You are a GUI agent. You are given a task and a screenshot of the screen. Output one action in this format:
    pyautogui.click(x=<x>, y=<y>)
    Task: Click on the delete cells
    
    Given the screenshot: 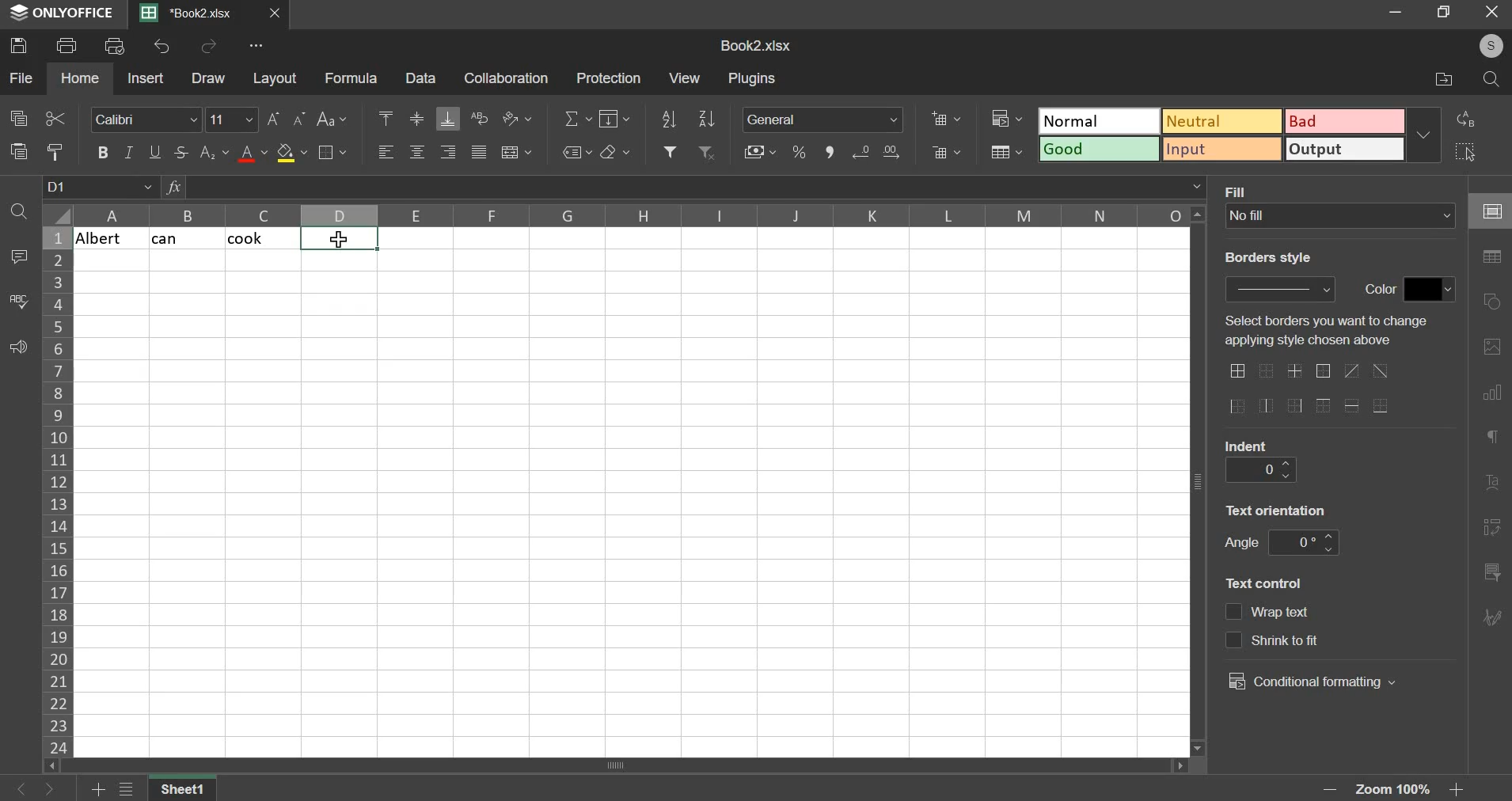 What is the action you would take?
    pyautogui.click(x=947, y=152)
    